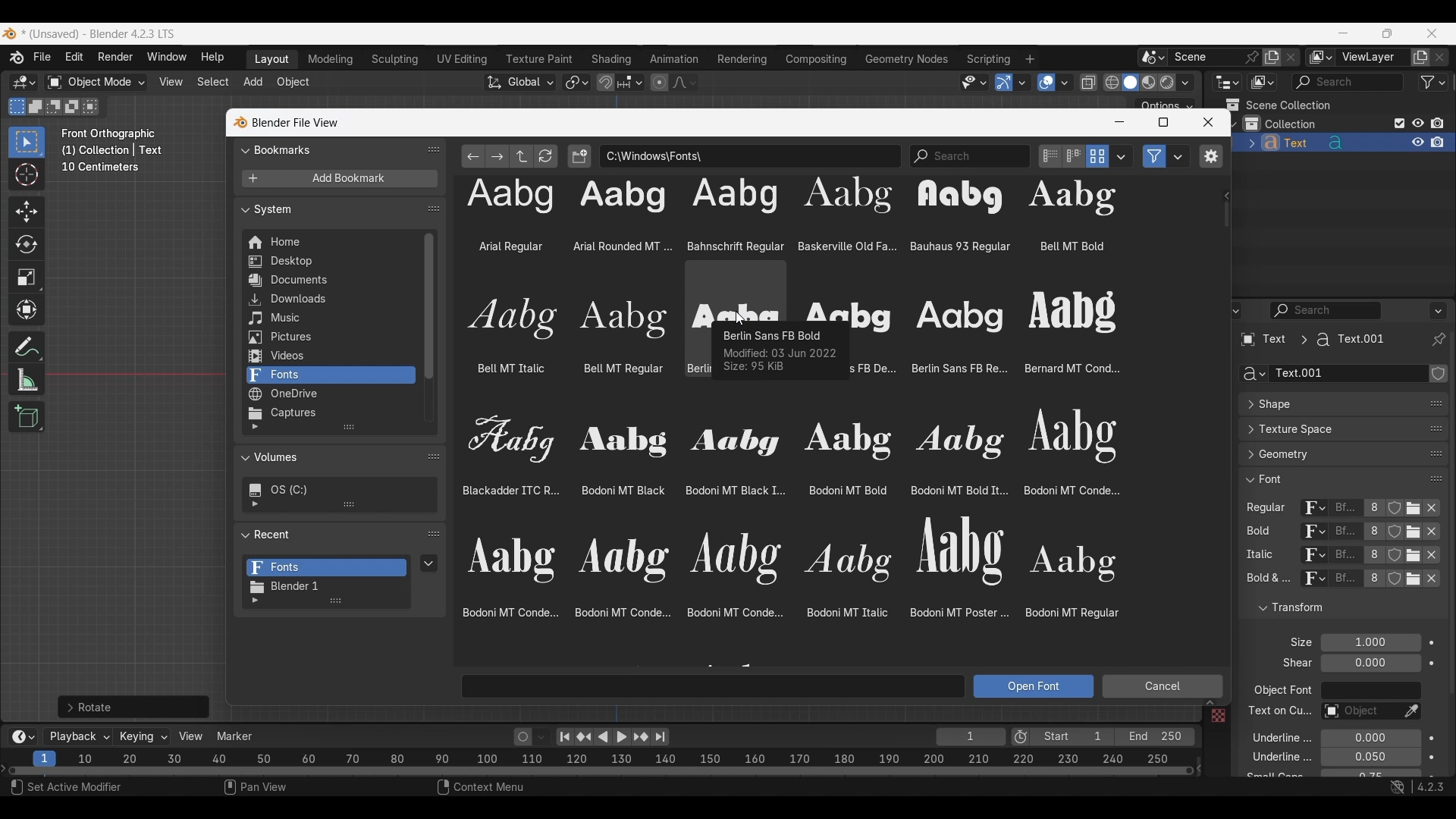 The width and height of the screenshot is (1456, 819). I want to click on Frame description changed, so click(112, 150).